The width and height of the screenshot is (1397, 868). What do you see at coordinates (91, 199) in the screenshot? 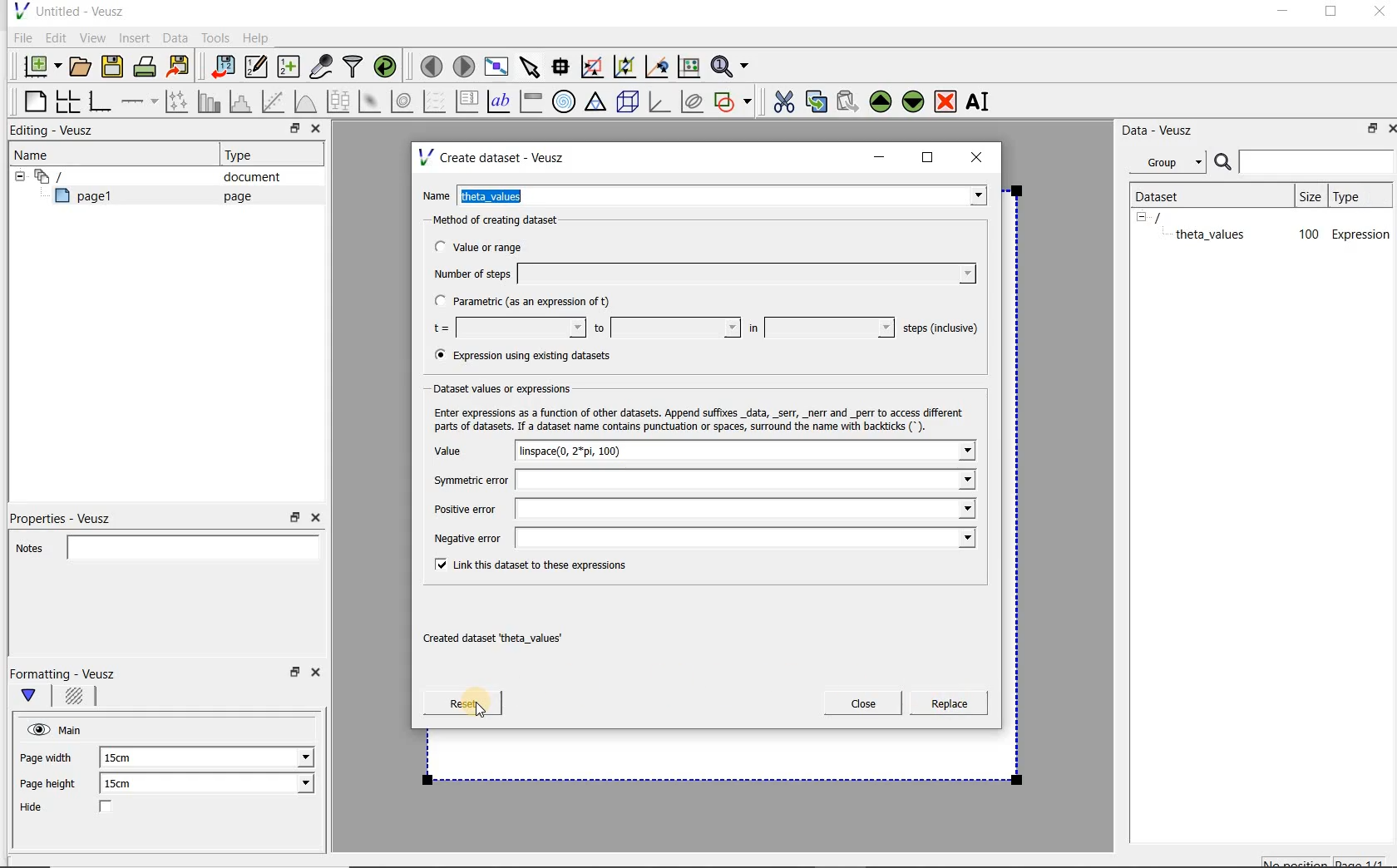
I see `page1` at bounding box center [91, 199].